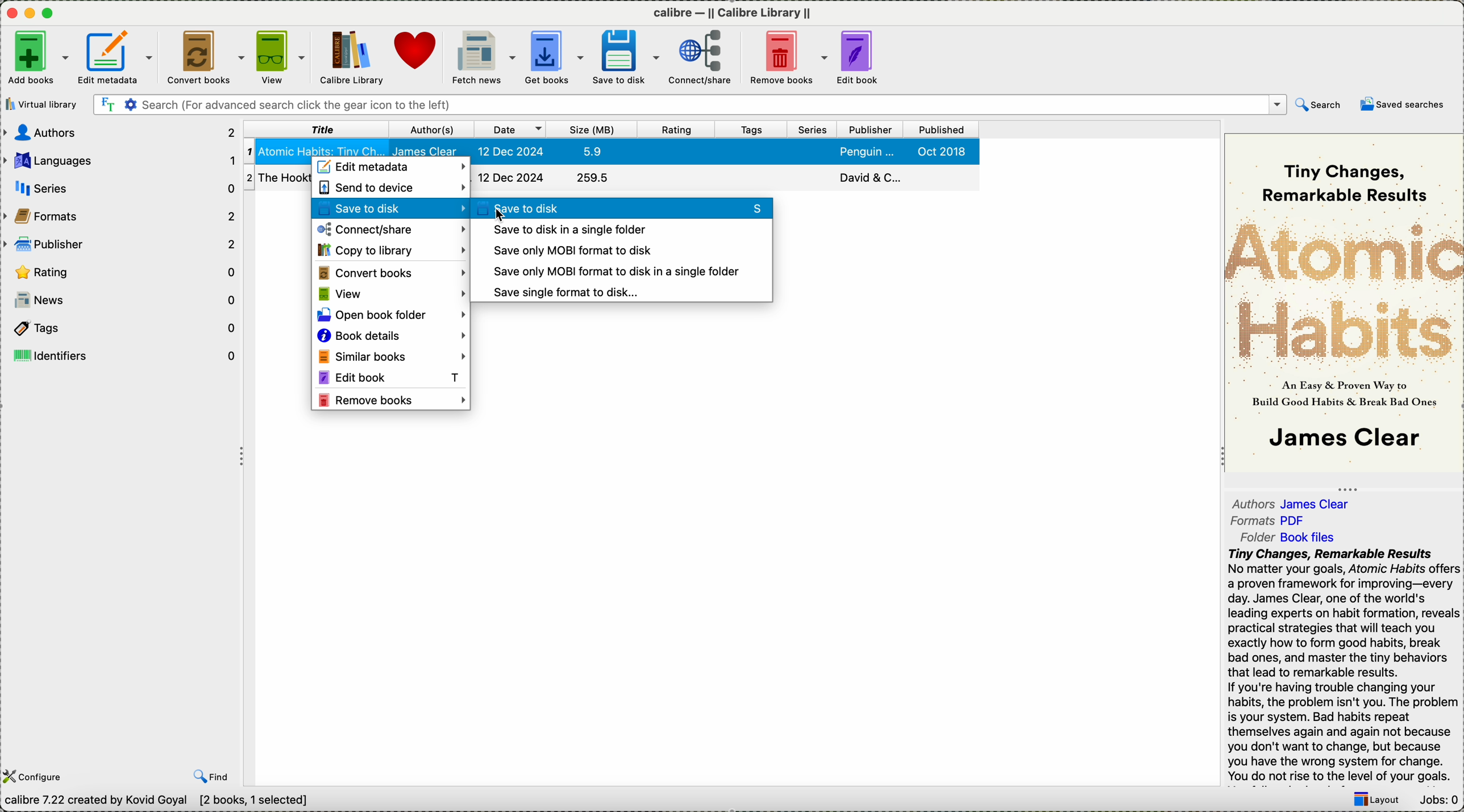 Image resolution: width=1464 pixels, height=812 pixels. What do you see at coordinates (390, 338) in the screenshot?
I see `book details` at bounding box center [390, 338].